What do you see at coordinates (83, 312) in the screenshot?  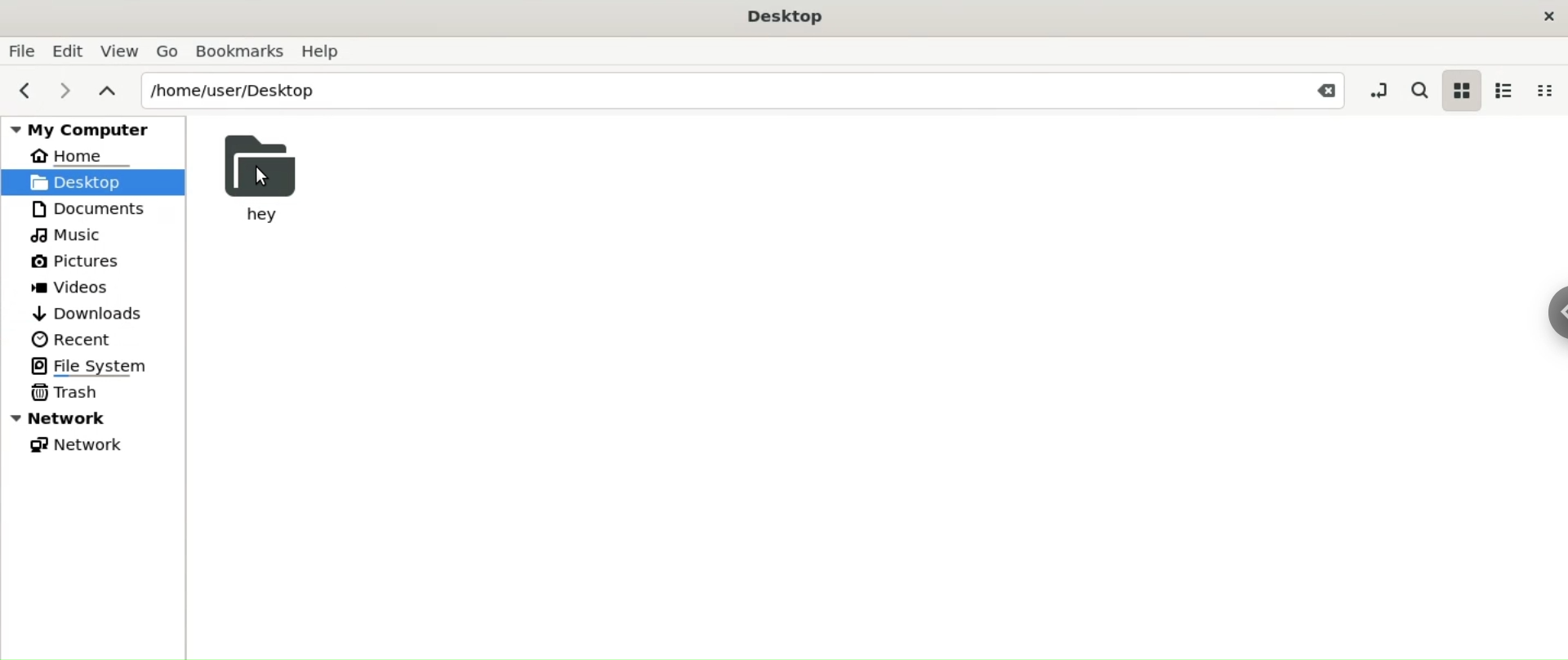 I see `Downloads` at bounding box center [83, 312].